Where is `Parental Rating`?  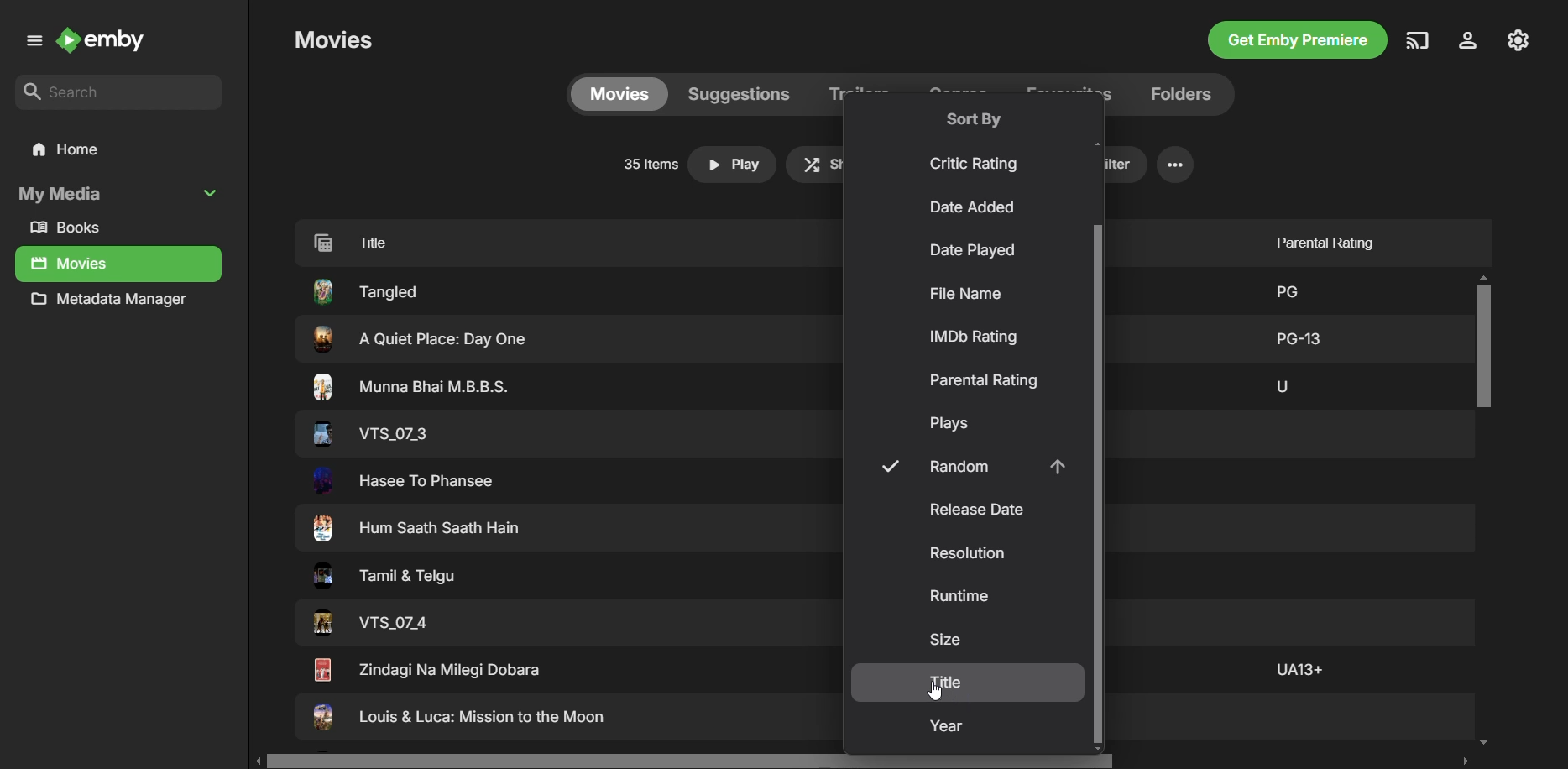
Parental Rating is located at coordinates (1319, 238).